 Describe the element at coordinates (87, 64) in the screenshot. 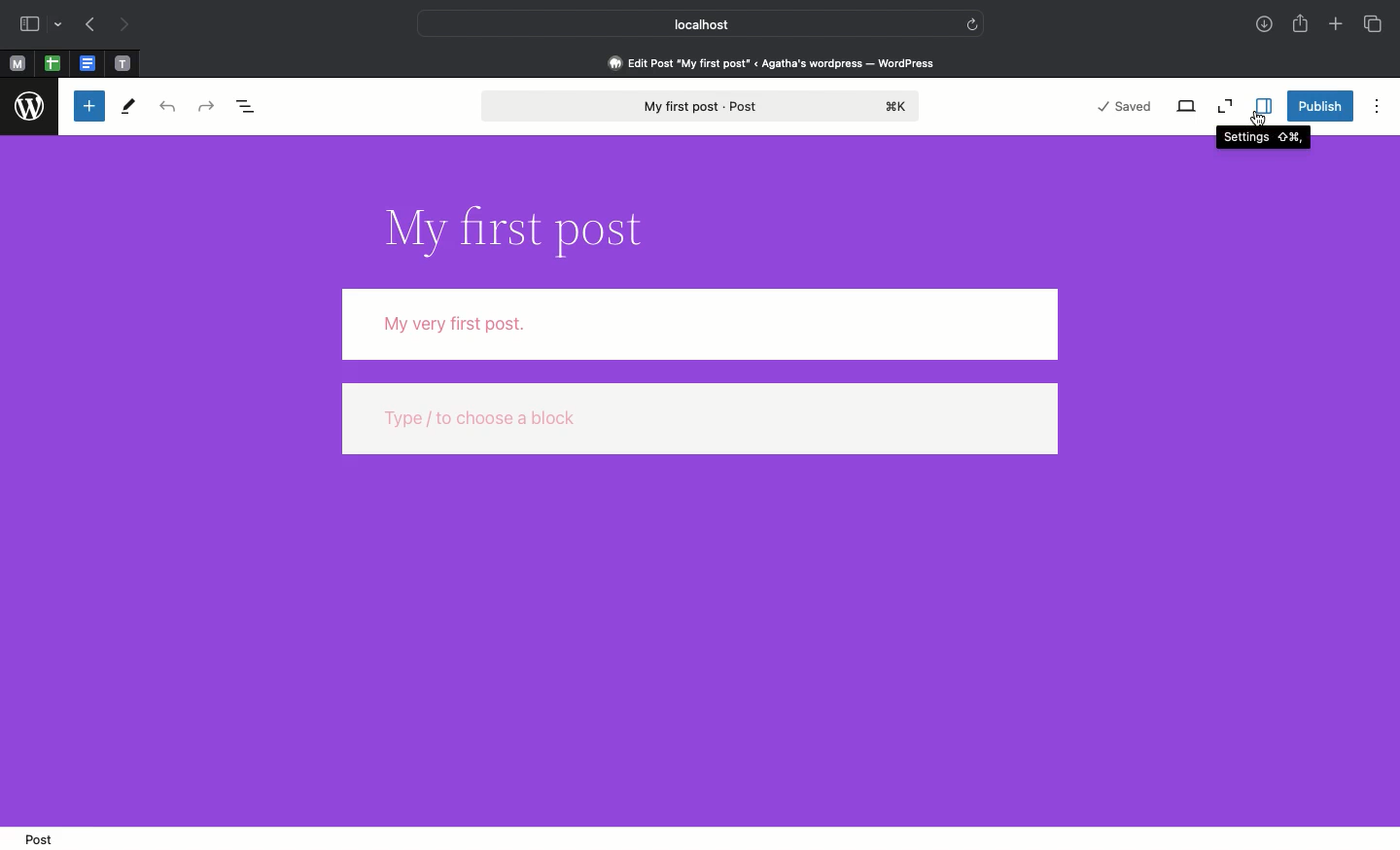

I see `pinned tabs` at that location.